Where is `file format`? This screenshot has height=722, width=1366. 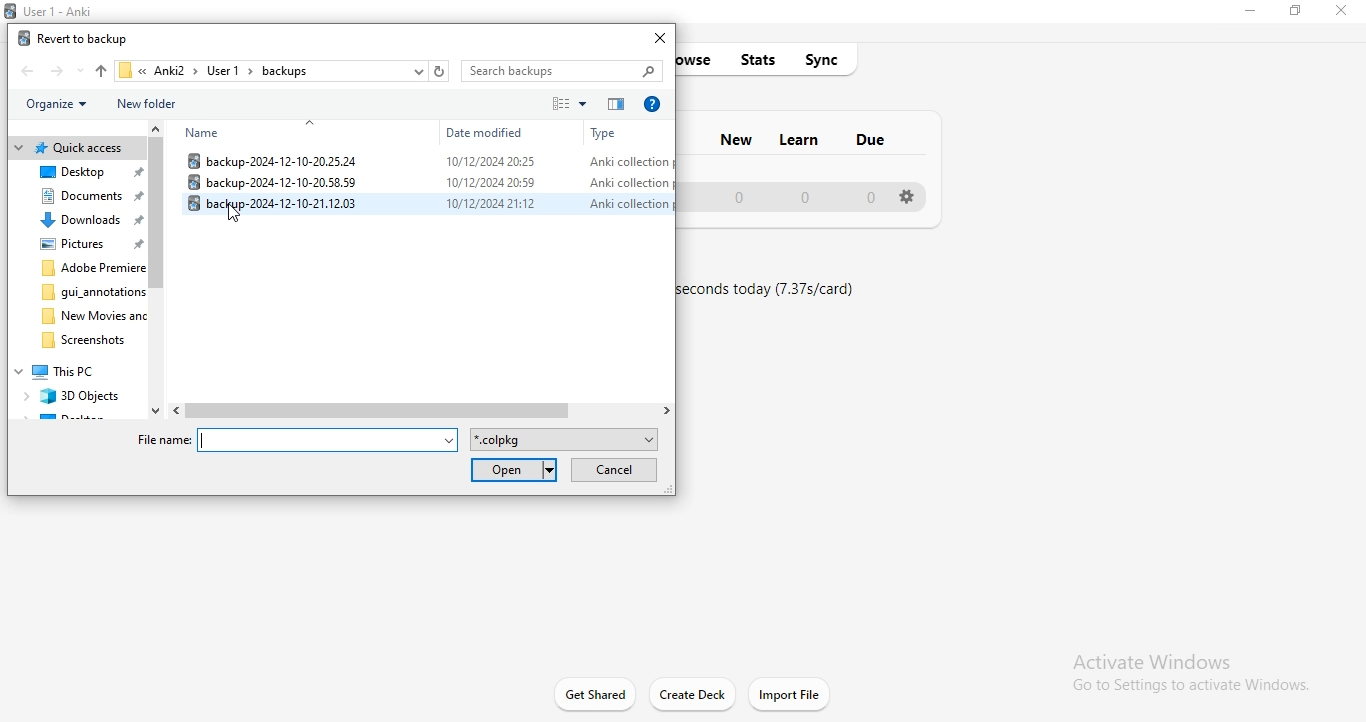
file format is located at coordinates (566, 441).